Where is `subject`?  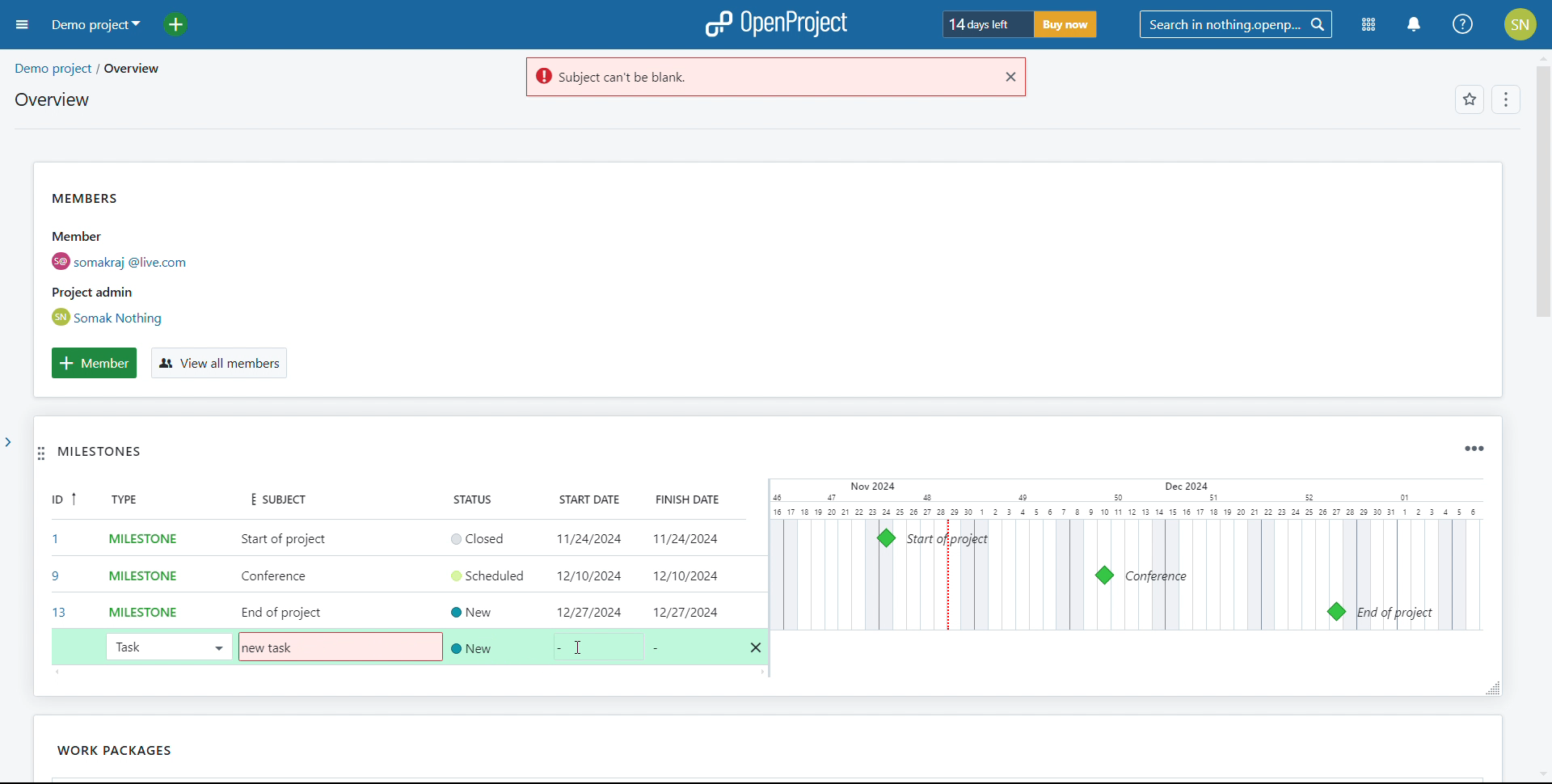
subject is located at coordinates (272, 498).